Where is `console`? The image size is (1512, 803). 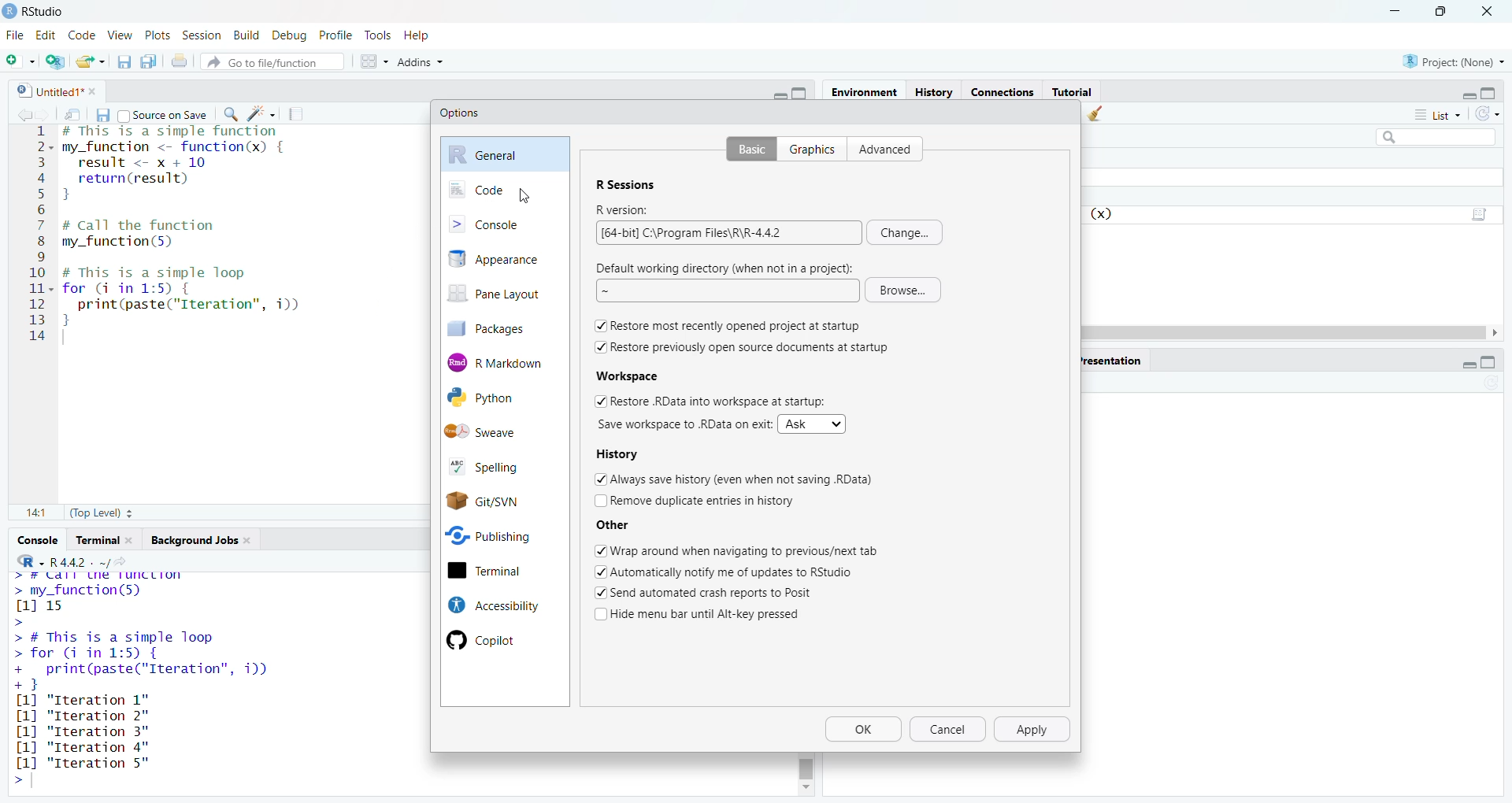
console is located at coordinates (505, 223).